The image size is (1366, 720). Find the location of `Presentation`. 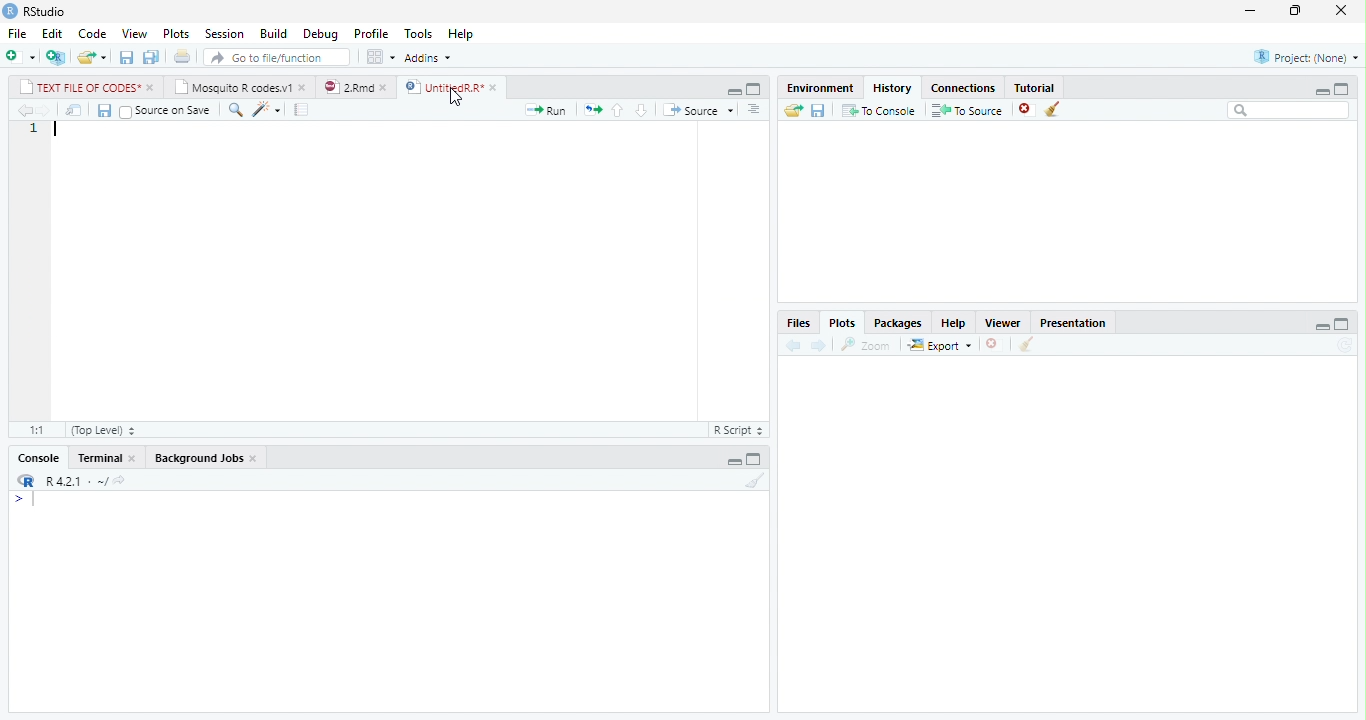

Presentation is located at coordinates (1072, 322).